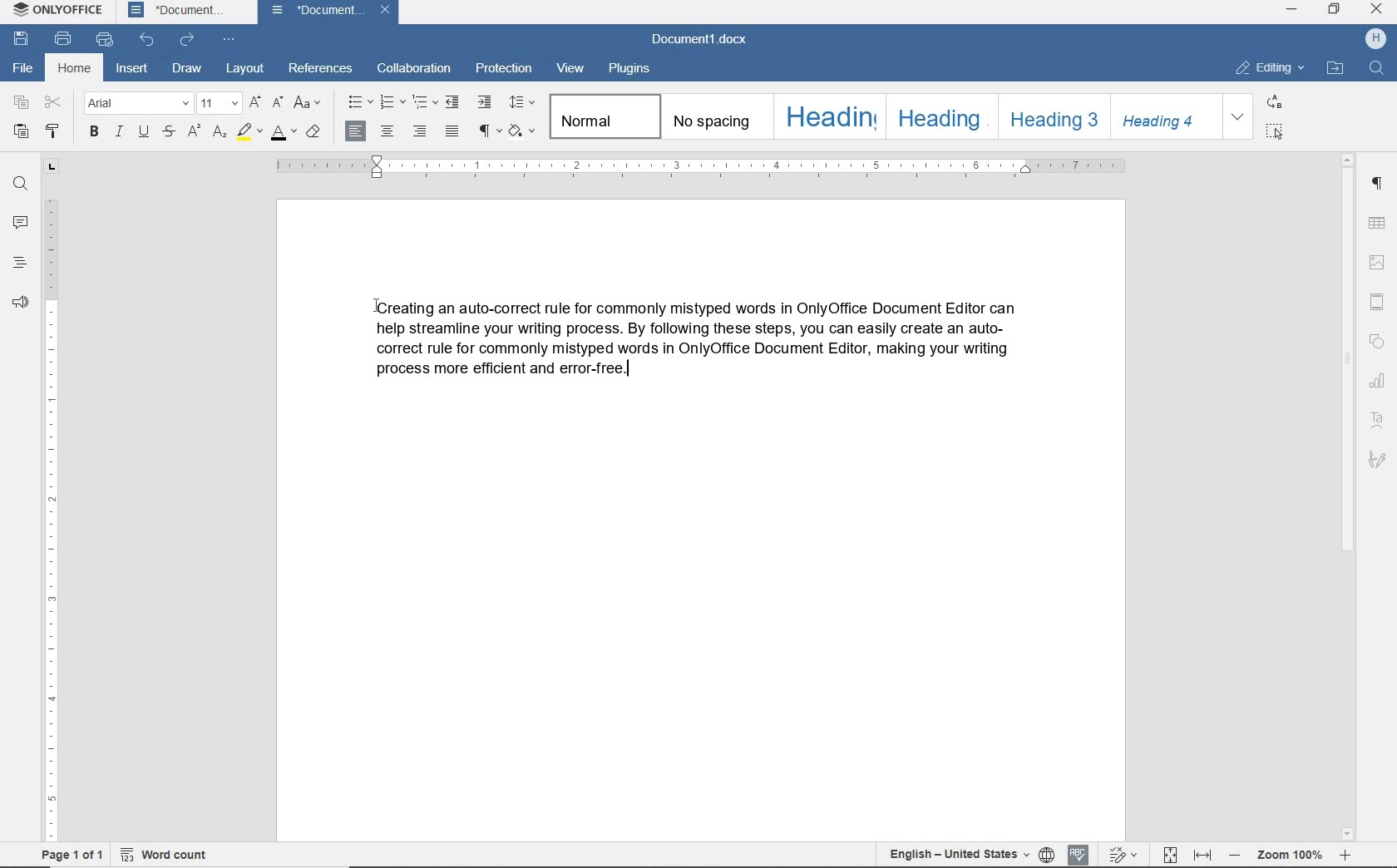 Image resolution: width=1397 pixels, height=868 pixels. Describe the element at coordinates (119, 131) in the screenshot. I see `italic` at that location.